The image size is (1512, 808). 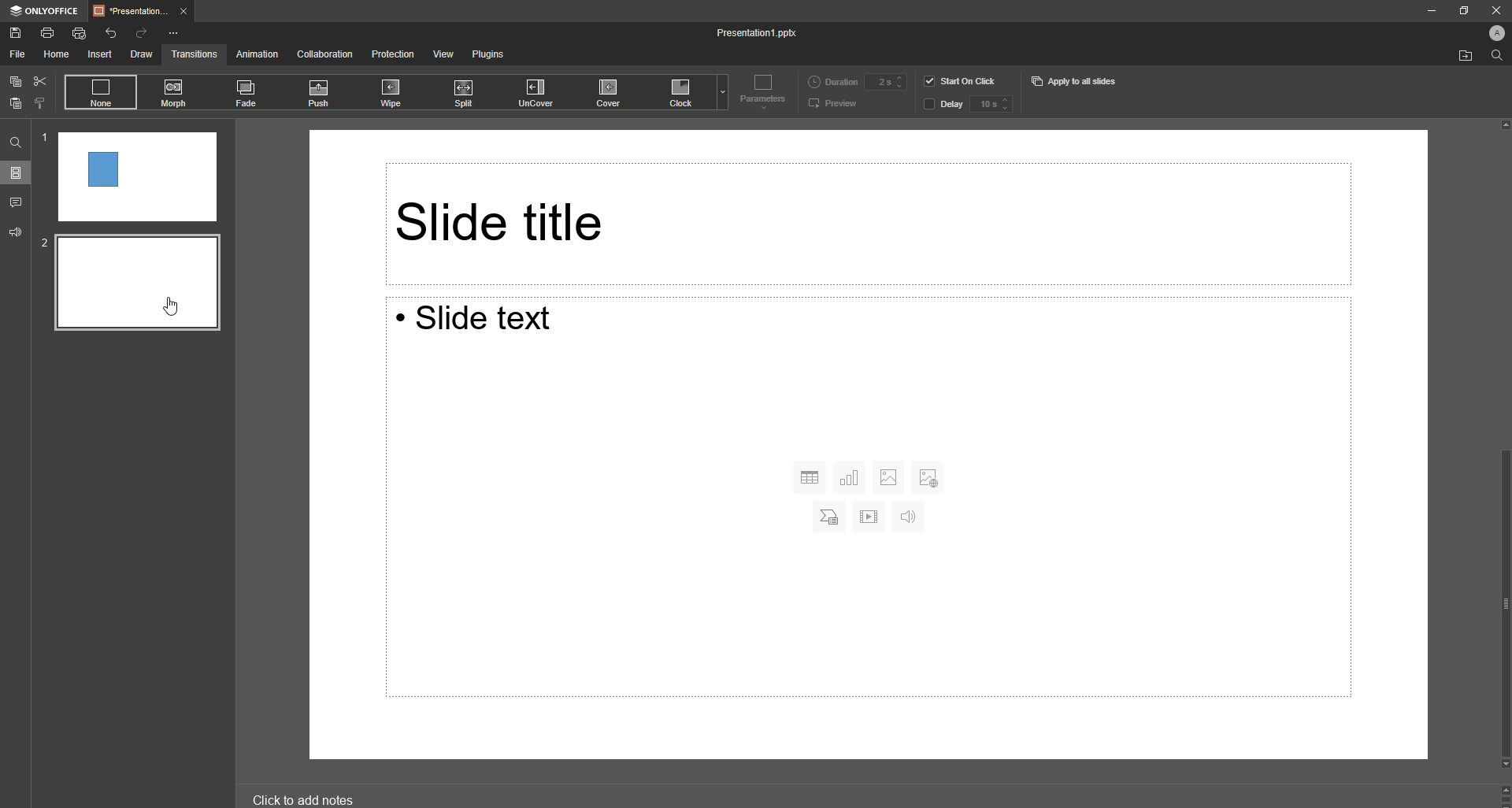 What do you see at coordinates (16, 32) in the screenshot?
I see `Save` at bounding box center [16, 32].